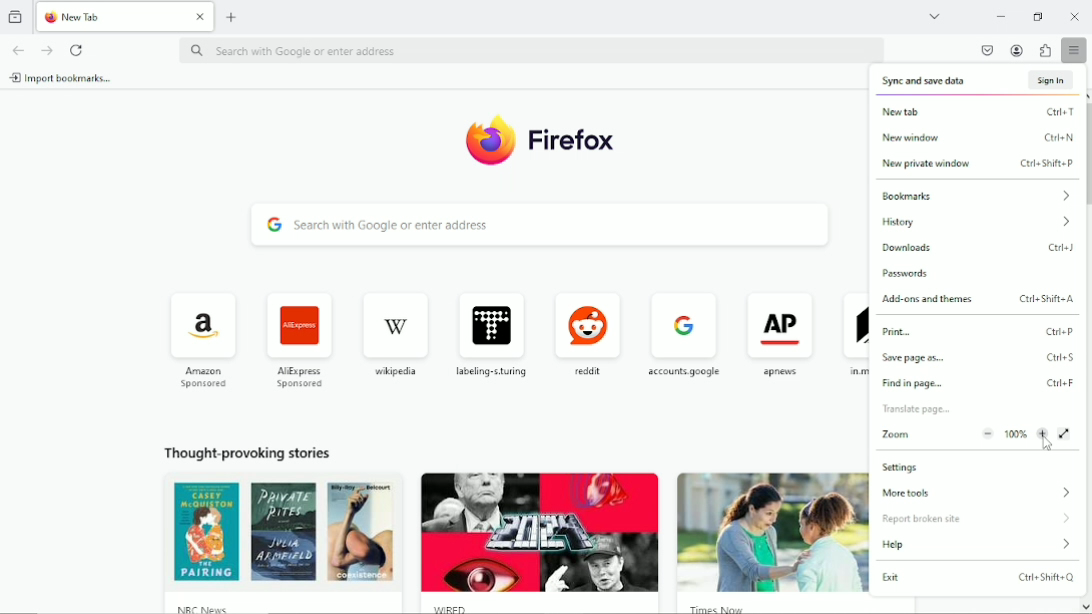 The width and height of the screenshot is (1092, 614). What do you see at coordinates (126, 18) in the screenshot?
I see `Current tab` at bounding box center [126, 18].